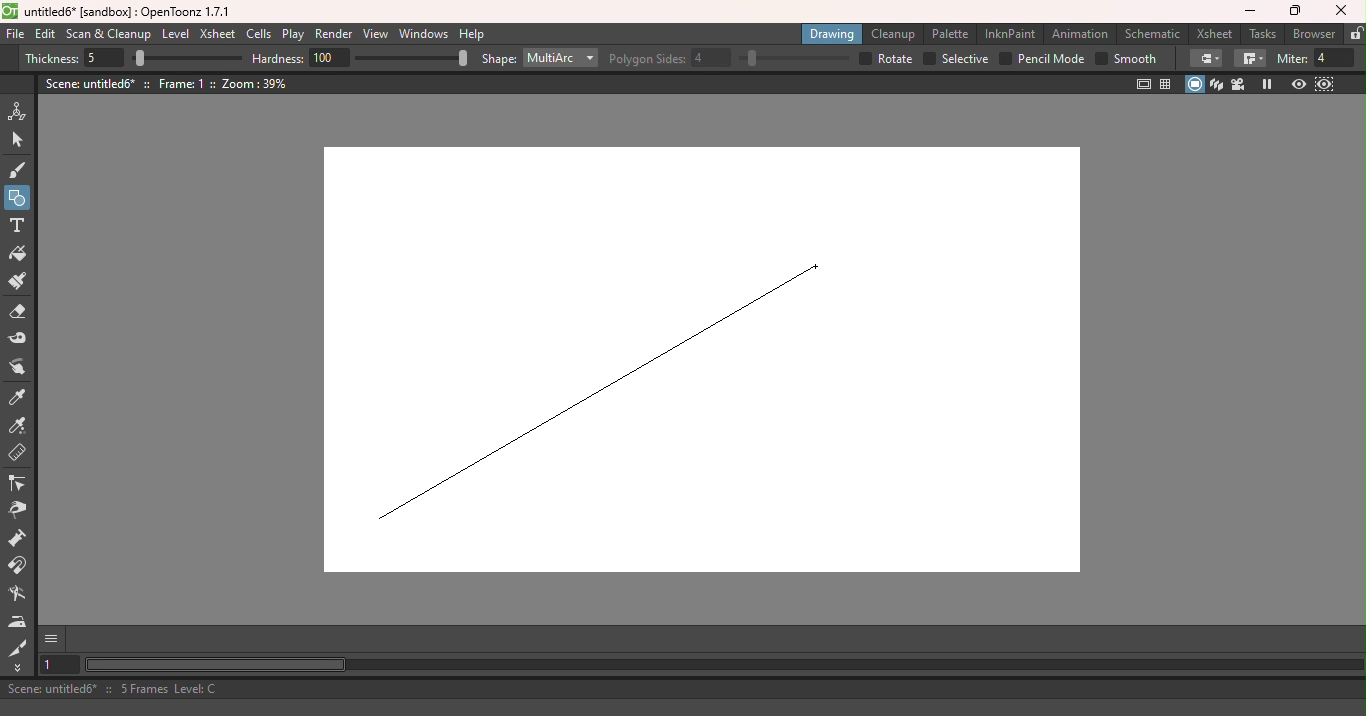 Image resolution: width=1366 pixels, height=716 pixels. What do you see at coordinates (21, 485) in the screenshot?
I see `Control point editor tool` at bounding box center [21, 485].